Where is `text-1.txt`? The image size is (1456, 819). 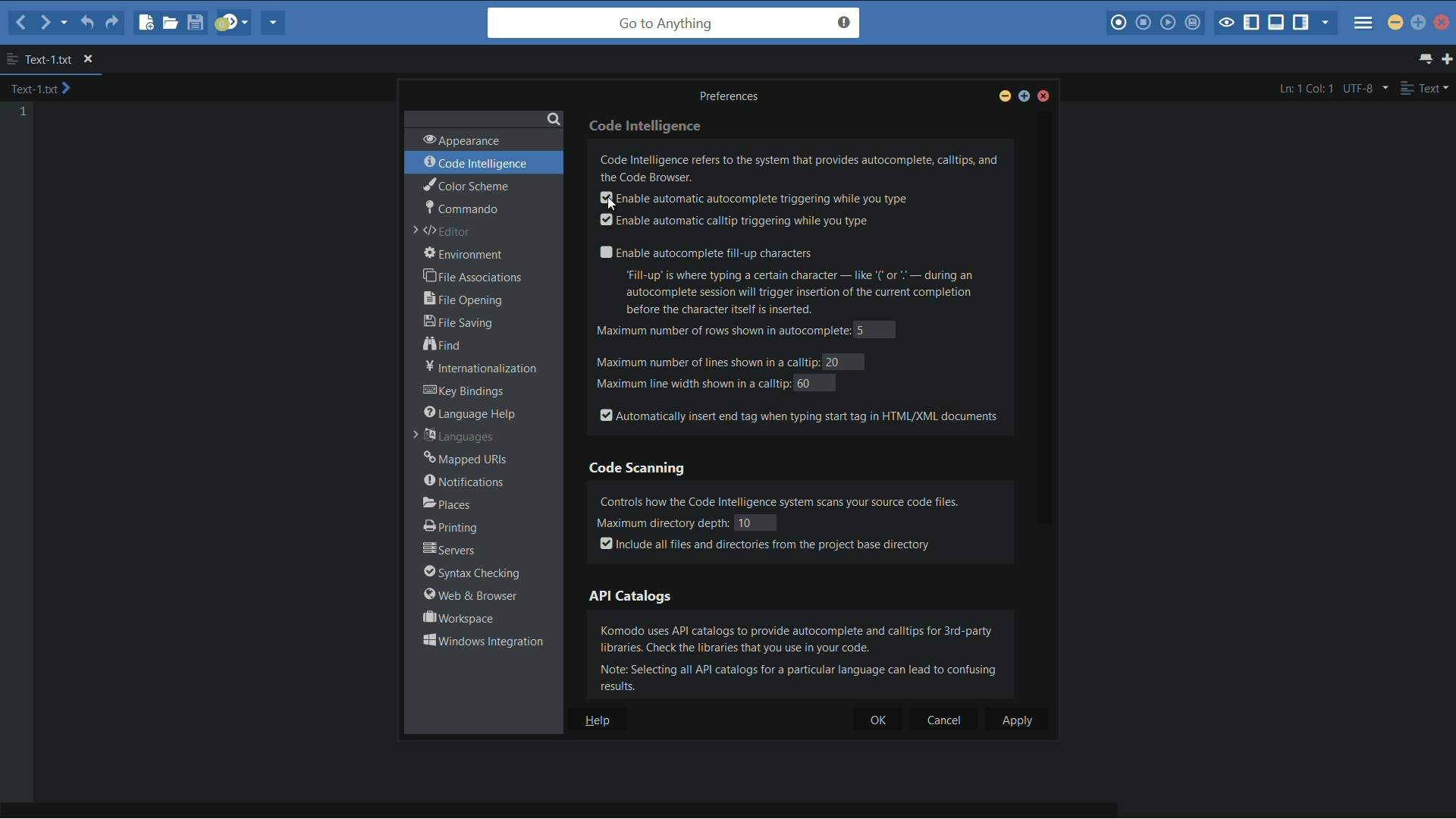
text-1.txt is located at coordinates (41, 89).